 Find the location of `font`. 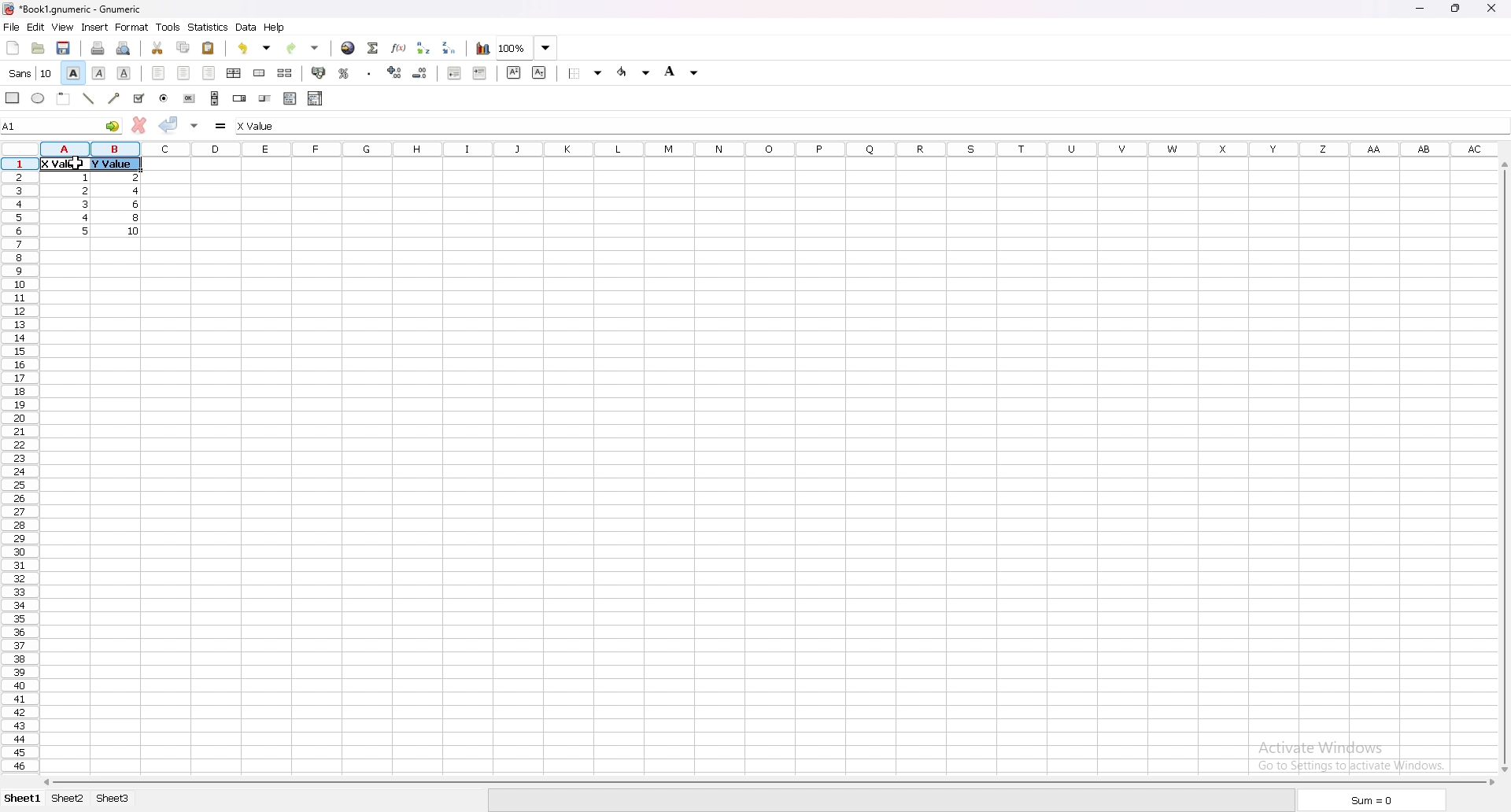

font is located at coordinates (31, 73).